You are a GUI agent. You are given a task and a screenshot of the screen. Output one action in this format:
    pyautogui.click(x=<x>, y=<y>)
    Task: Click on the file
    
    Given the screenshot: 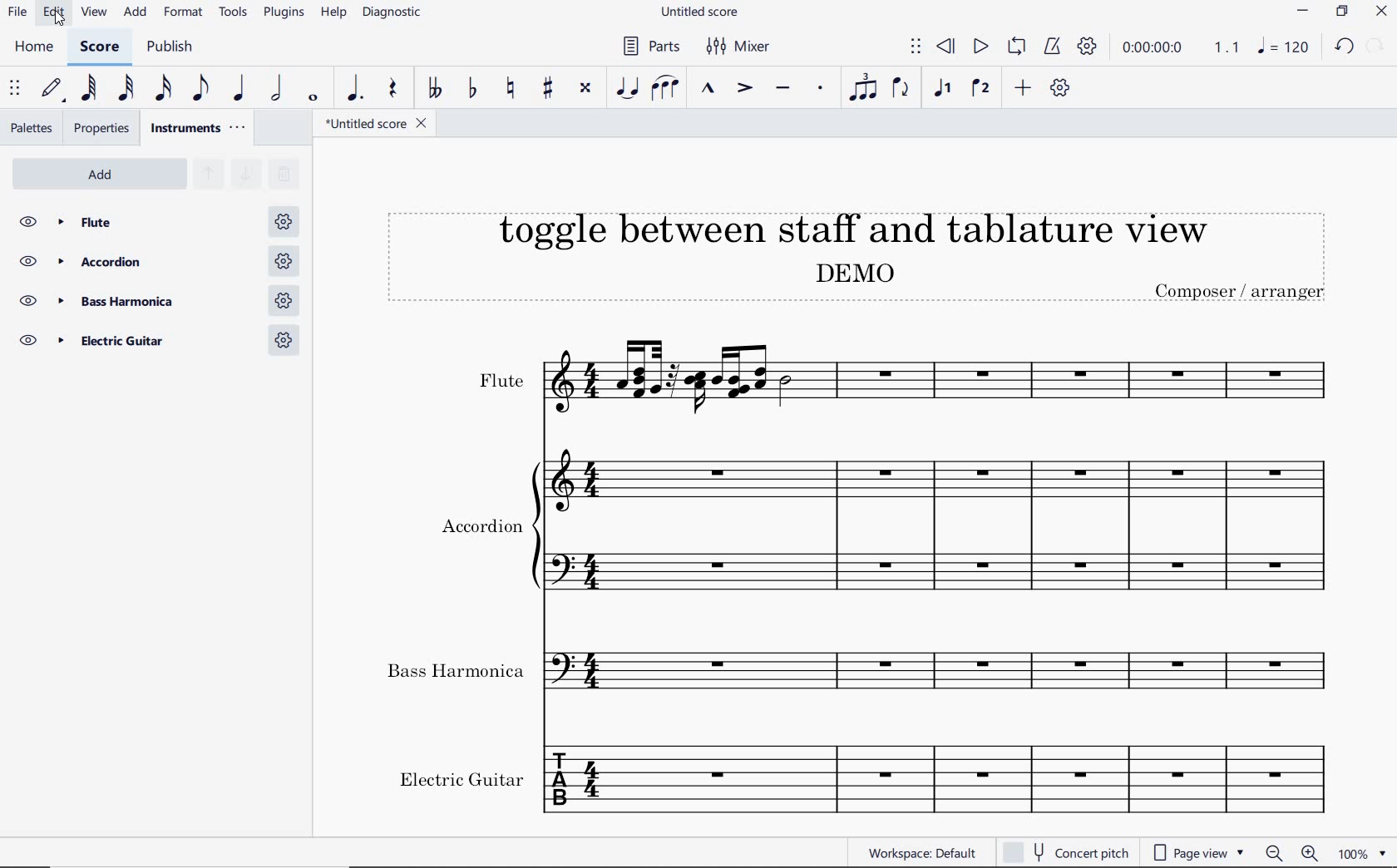 What is the action you would take?
    pyautogui.click(x=17, y=14)
    